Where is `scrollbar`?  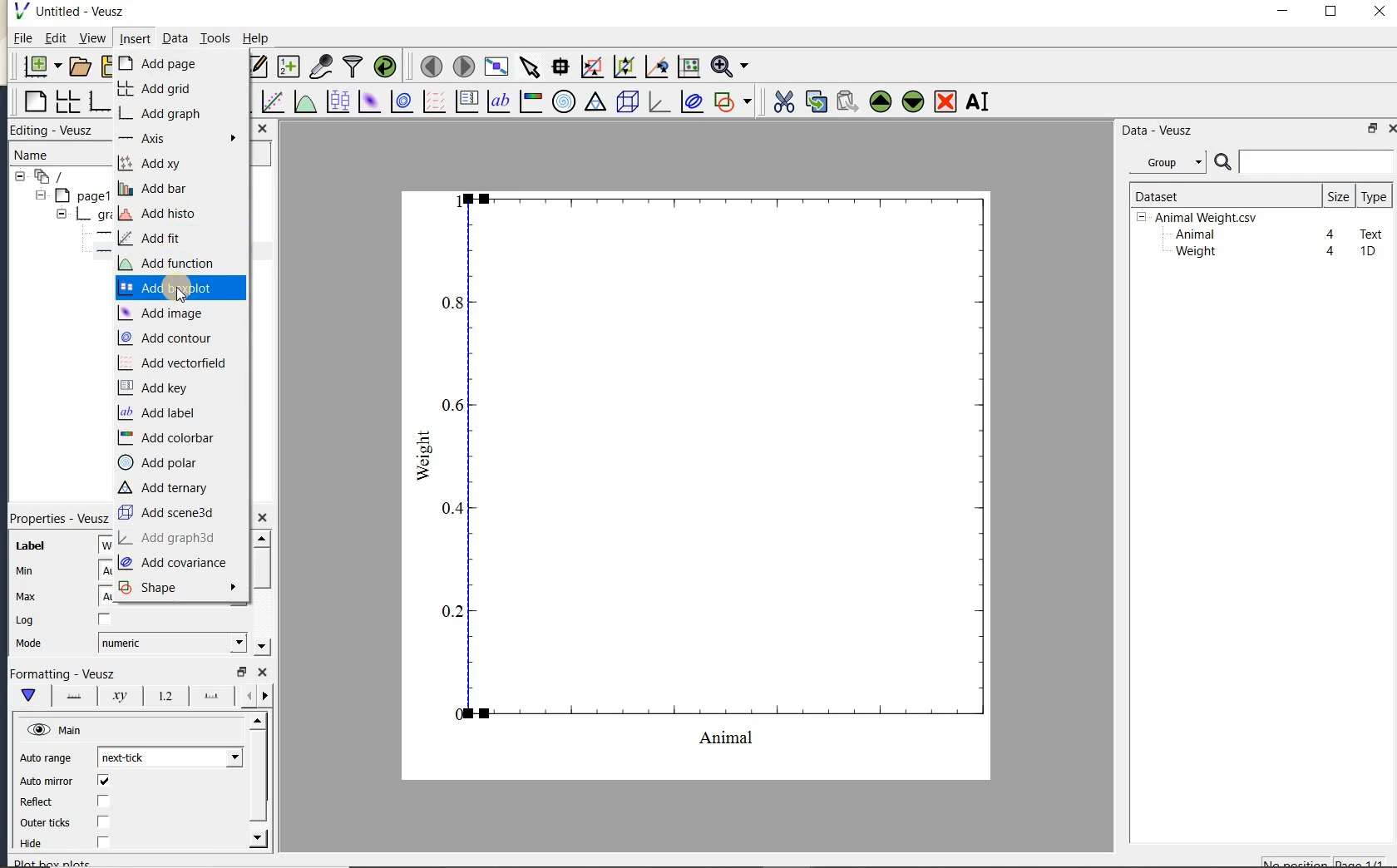 scrollbar is located at coordinates (259, 781).